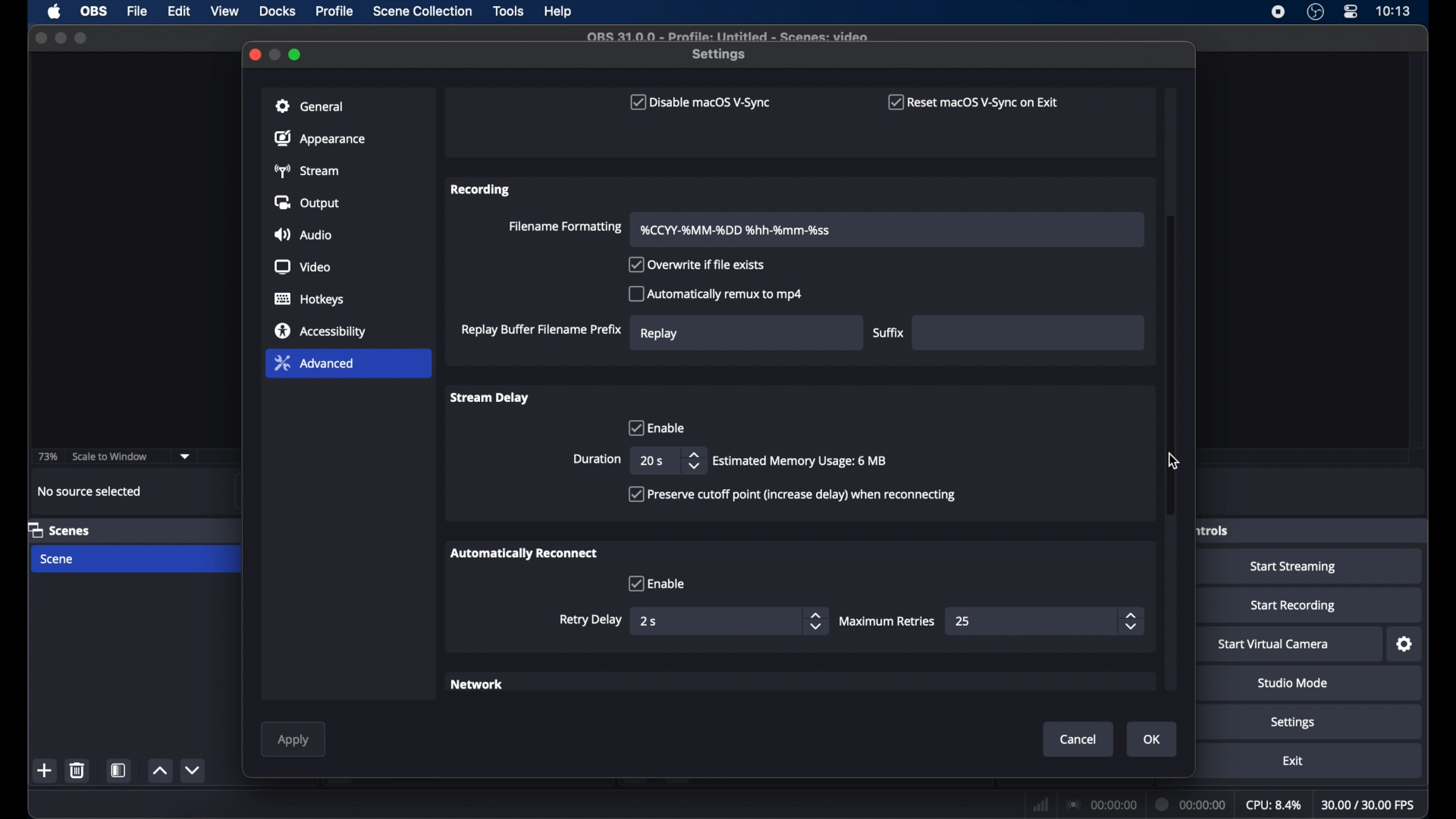 The width and height of the screenshot is (1456, 819). What do you see at coordinates (654, 427) in the screenshot?
I see `enable` at bounding box center [654, 427].